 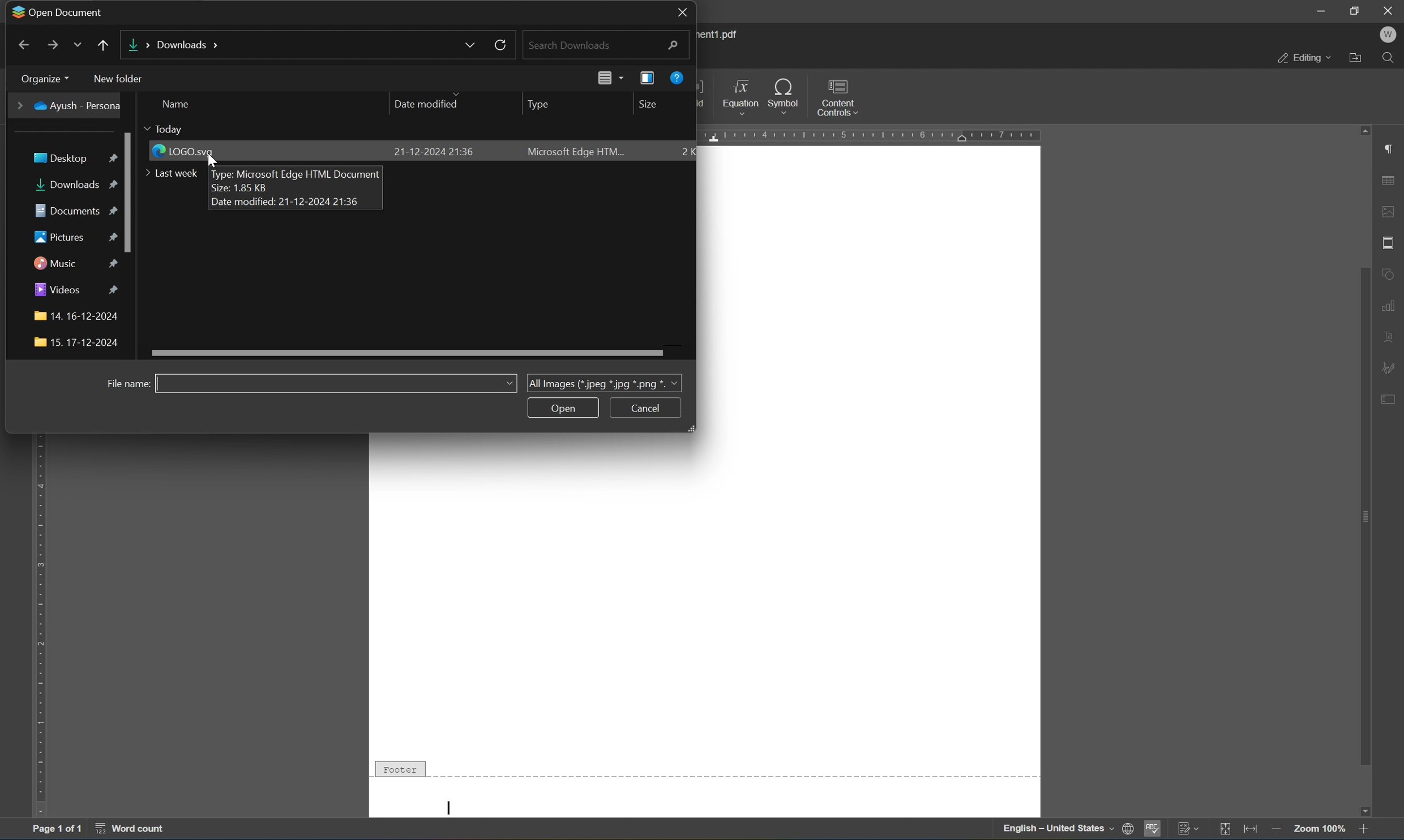 What do you see at coordinates (1391, 337) in the screenshot?
I see `text art settings` at bounding box center [1391, 337].